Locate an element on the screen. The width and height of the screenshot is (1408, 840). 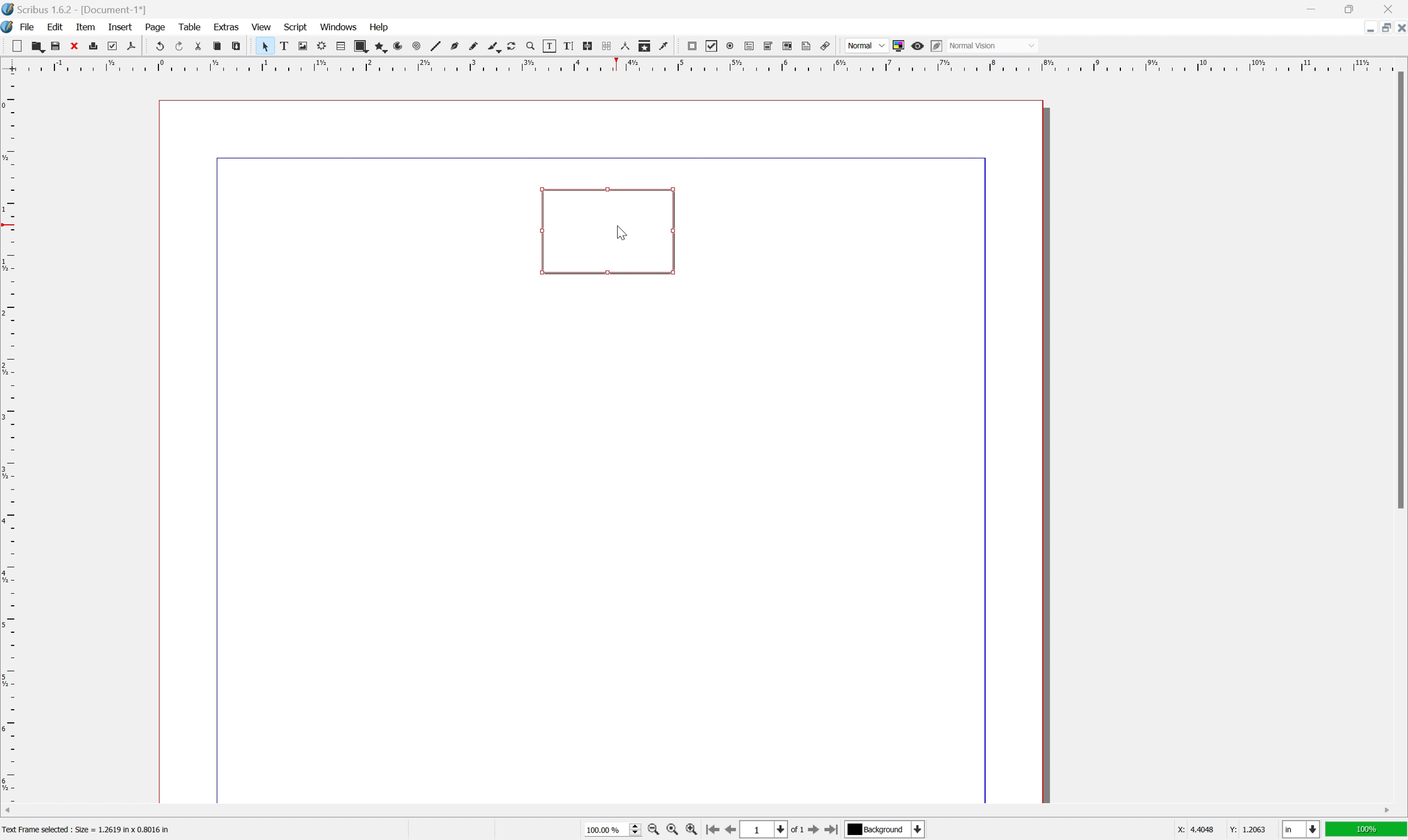
toggle color management system is located at coordinates (898, 45).